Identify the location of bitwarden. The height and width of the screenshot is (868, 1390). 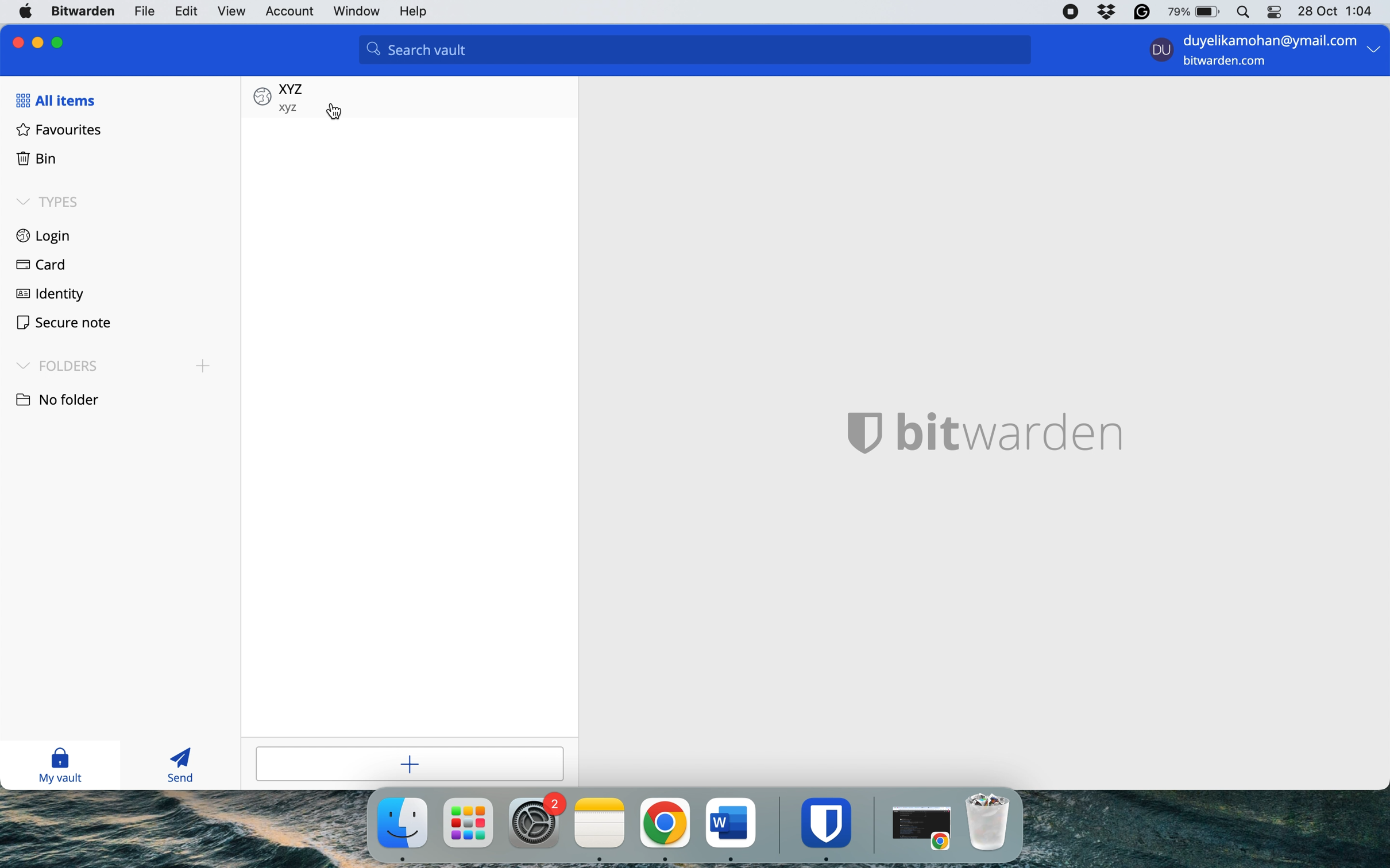
(830, 822).